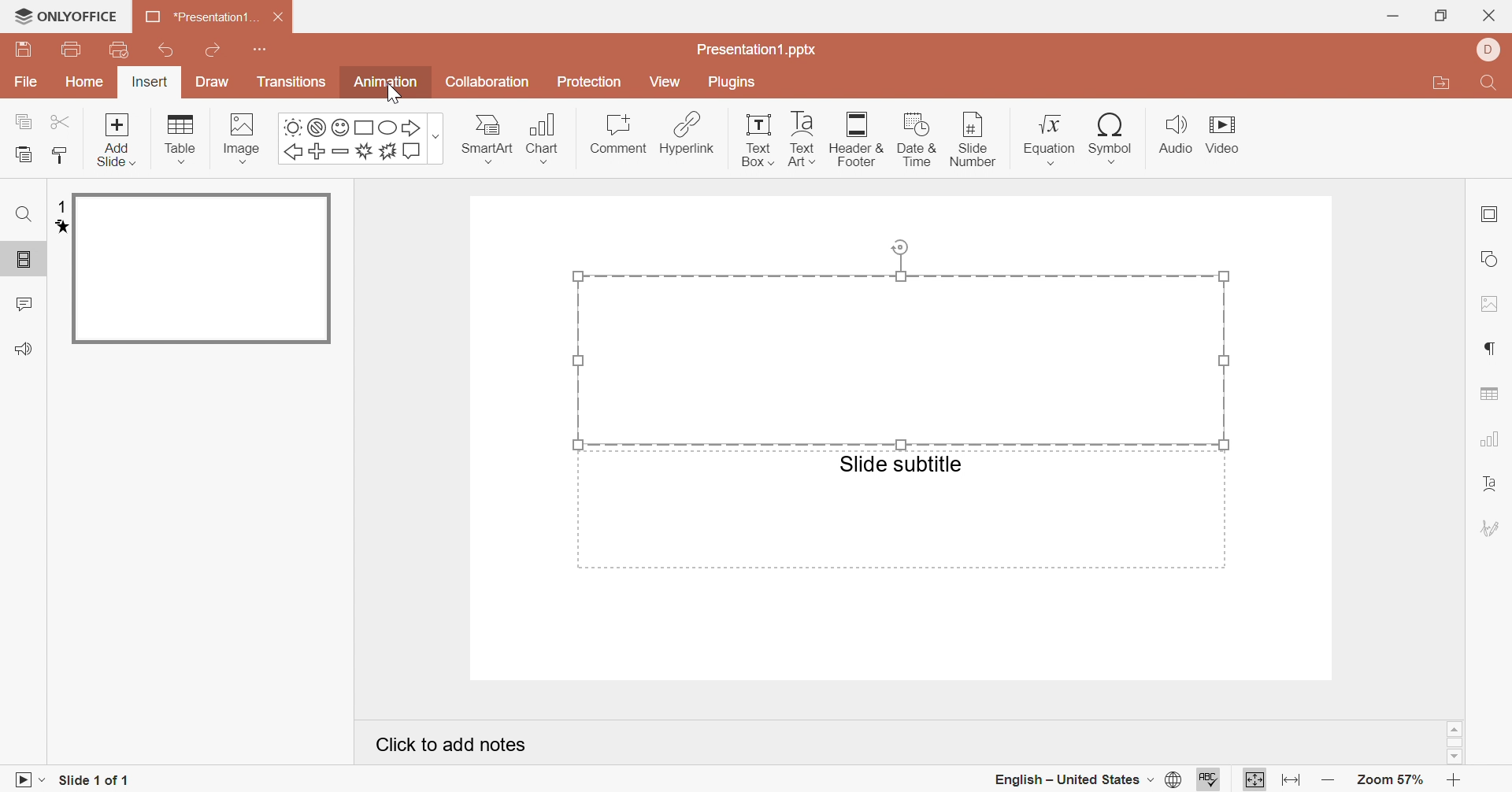  Describe the element at coordinates (1455, 757) in the screenshot. I see `scroll down` at that location.